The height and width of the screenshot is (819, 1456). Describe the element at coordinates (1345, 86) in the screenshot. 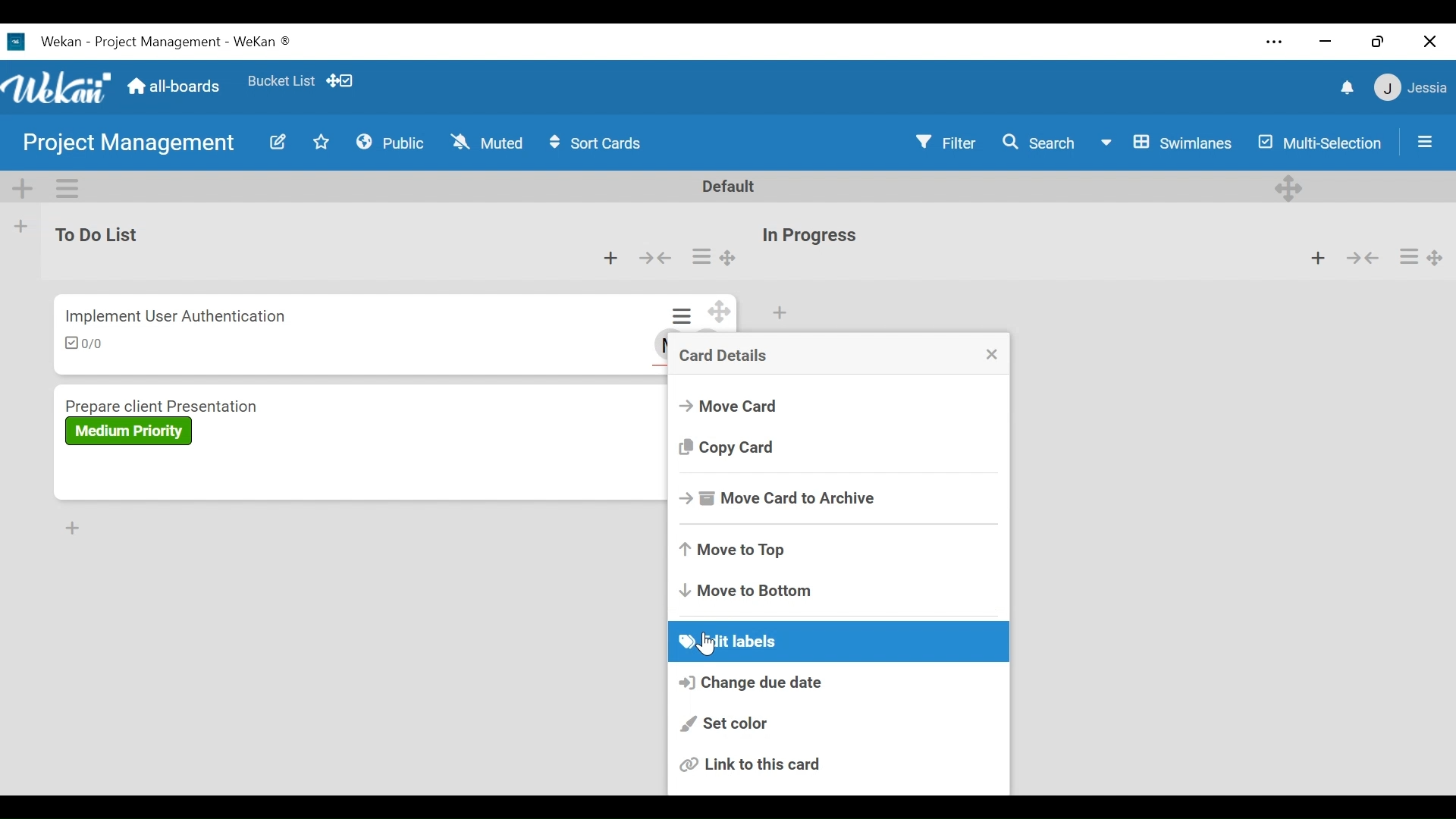

I see `notifications` at that location.